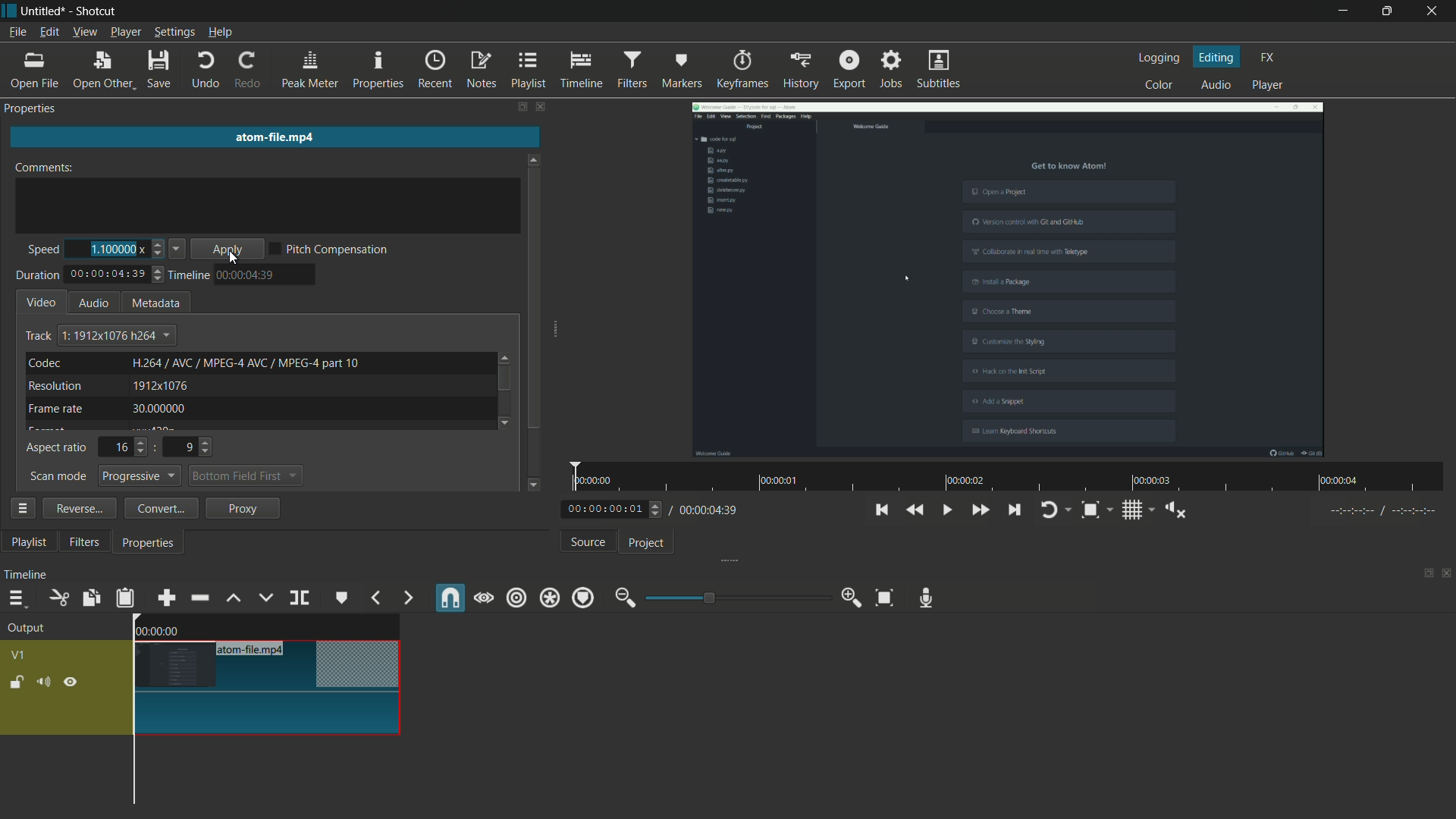 Image resolution: width=1456 pixels, height=819 pixels. Describe the element at coordinates (409, 598) in the screenshot. I see `next marker` at that location.